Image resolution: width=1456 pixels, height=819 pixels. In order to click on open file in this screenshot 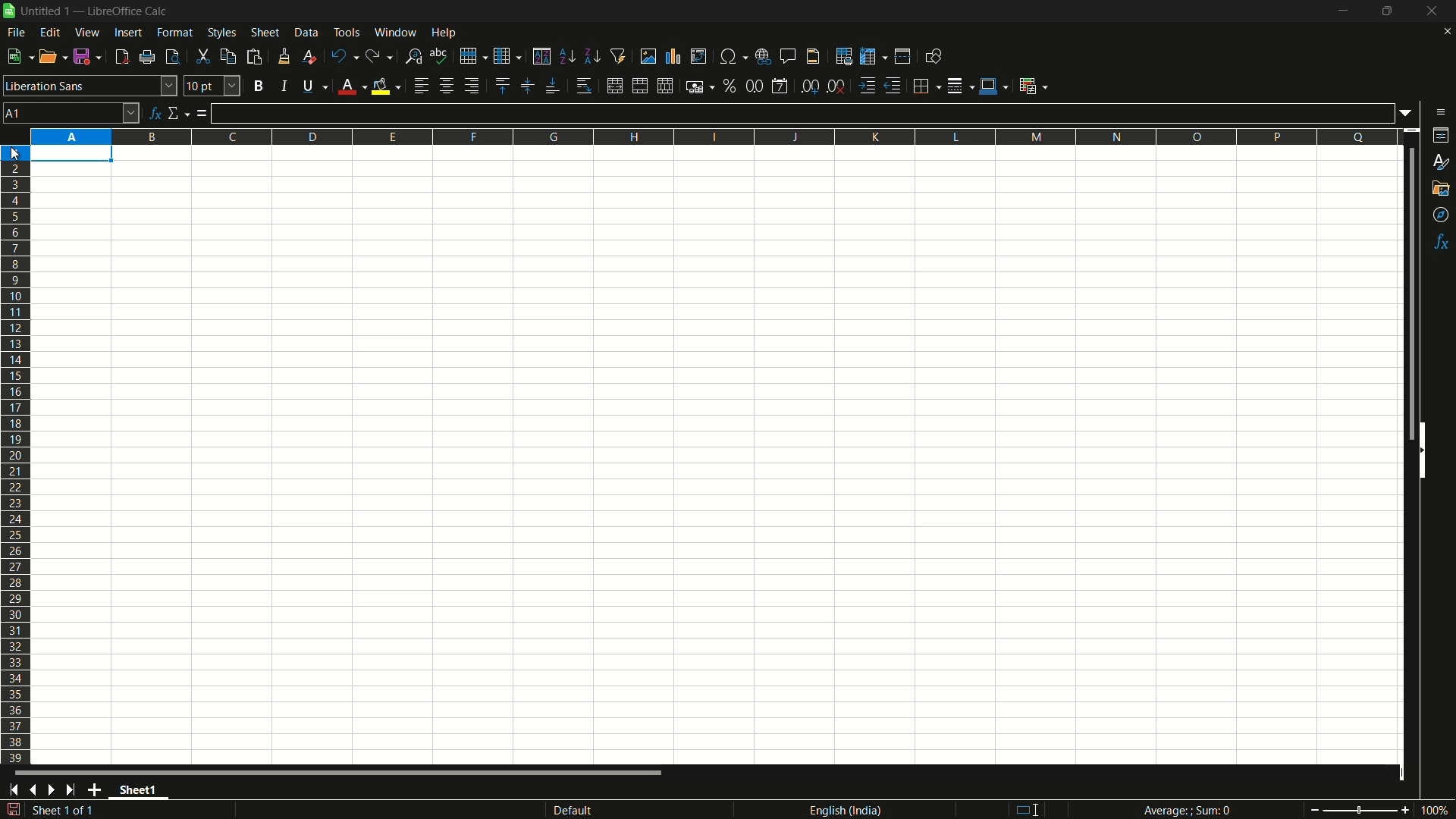, I will do `click(54, 57)`.